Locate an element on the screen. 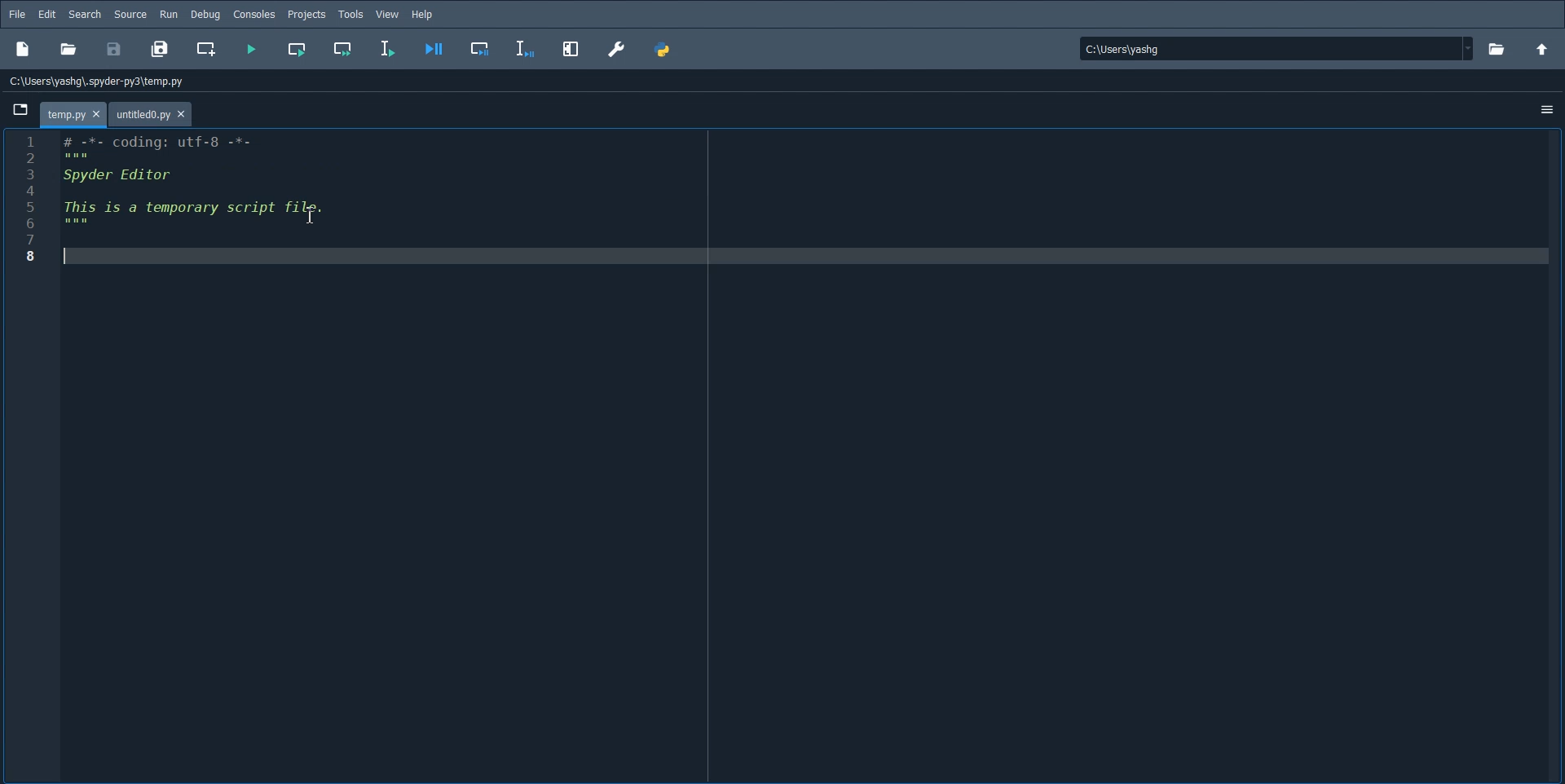  Debug Selection is located at coordinates (524, 51).